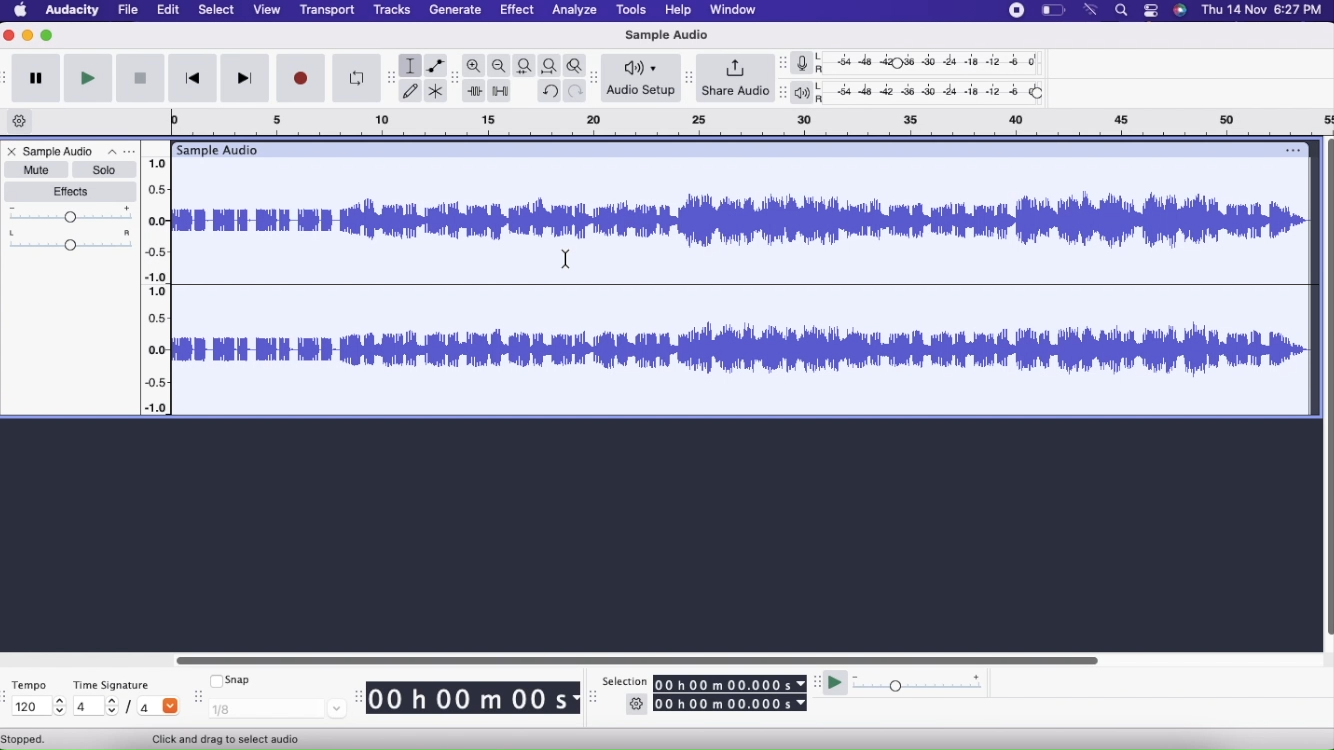  Describe the element at coordinates (170, 10) in the screenshot. I see `Edit` at that location.